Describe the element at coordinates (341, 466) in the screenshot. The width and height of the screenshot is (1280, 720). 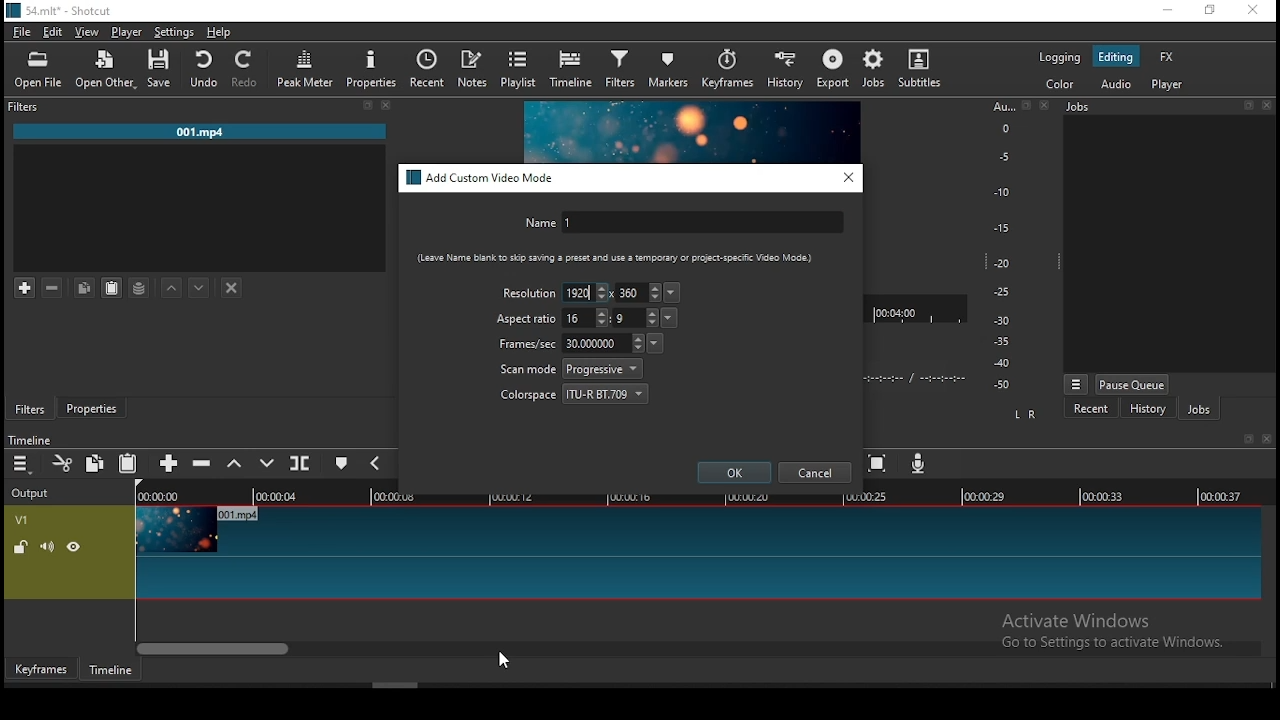
I see `create/edit marker` at that location.